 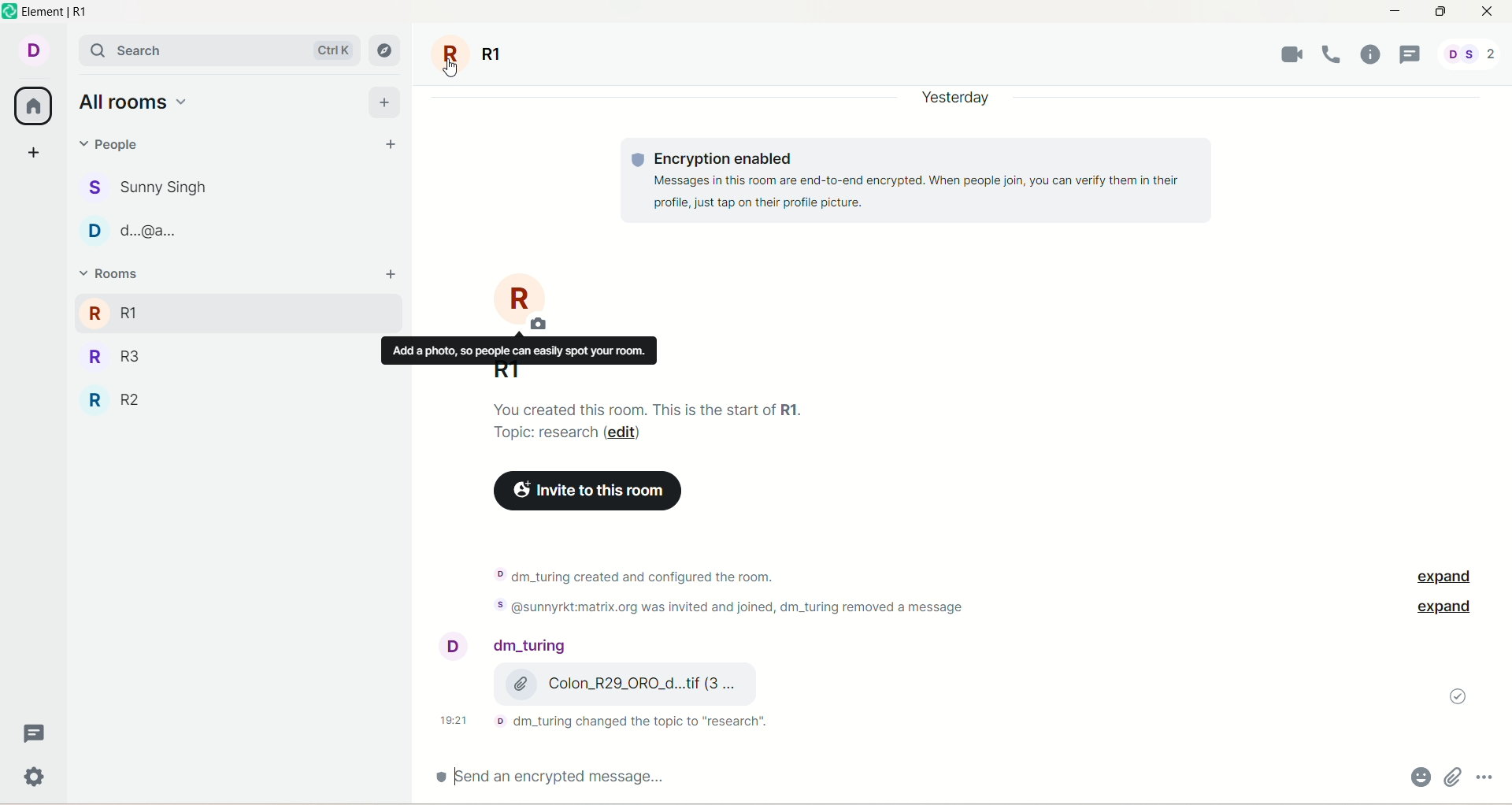 I want to click on R3, so click(x=125, y=355).